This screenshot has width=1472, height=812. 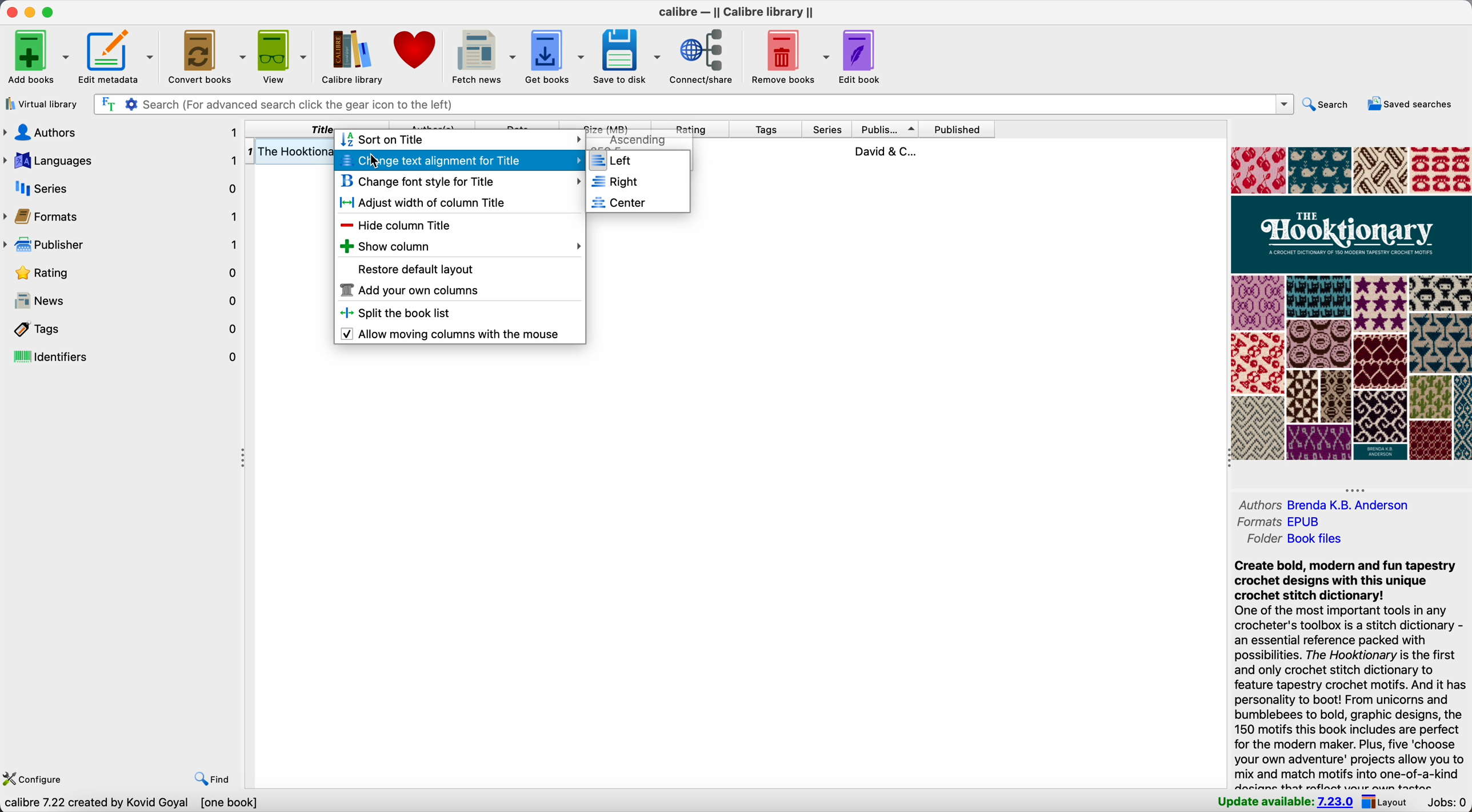 I want to click on show column, so click(x=459, y=246).